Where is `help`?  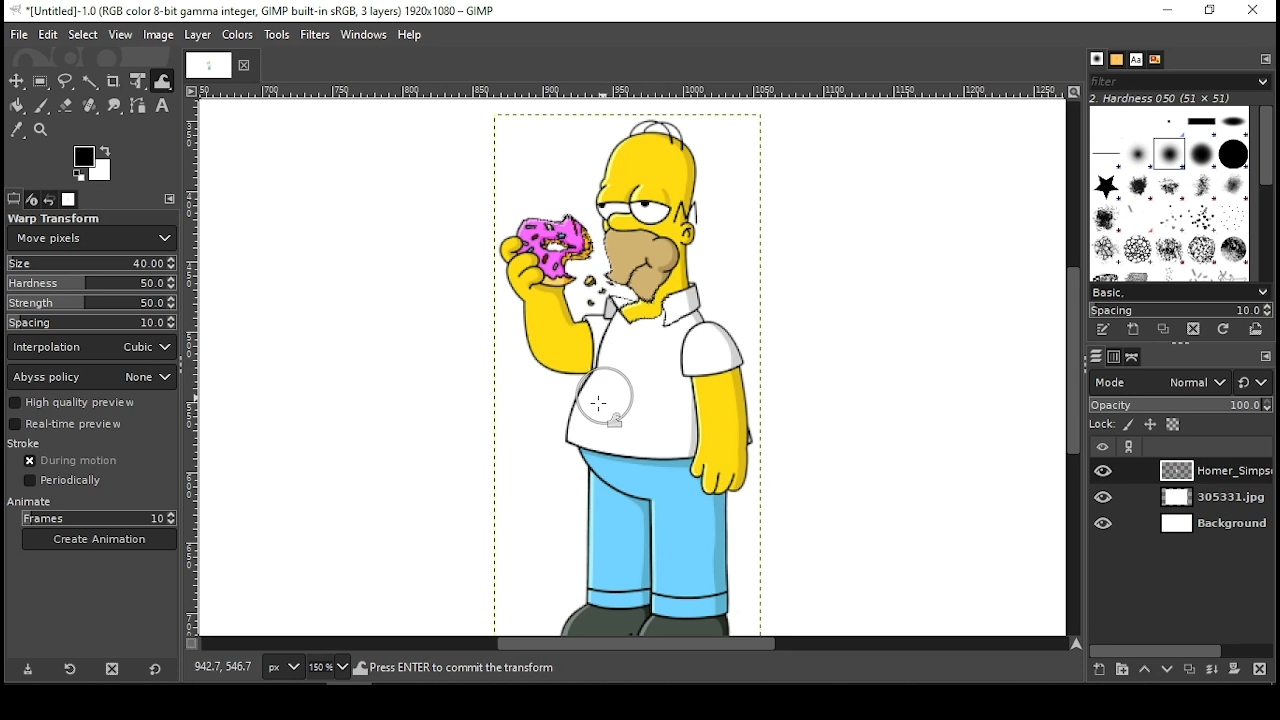 help is located at coordinates (411, 36).